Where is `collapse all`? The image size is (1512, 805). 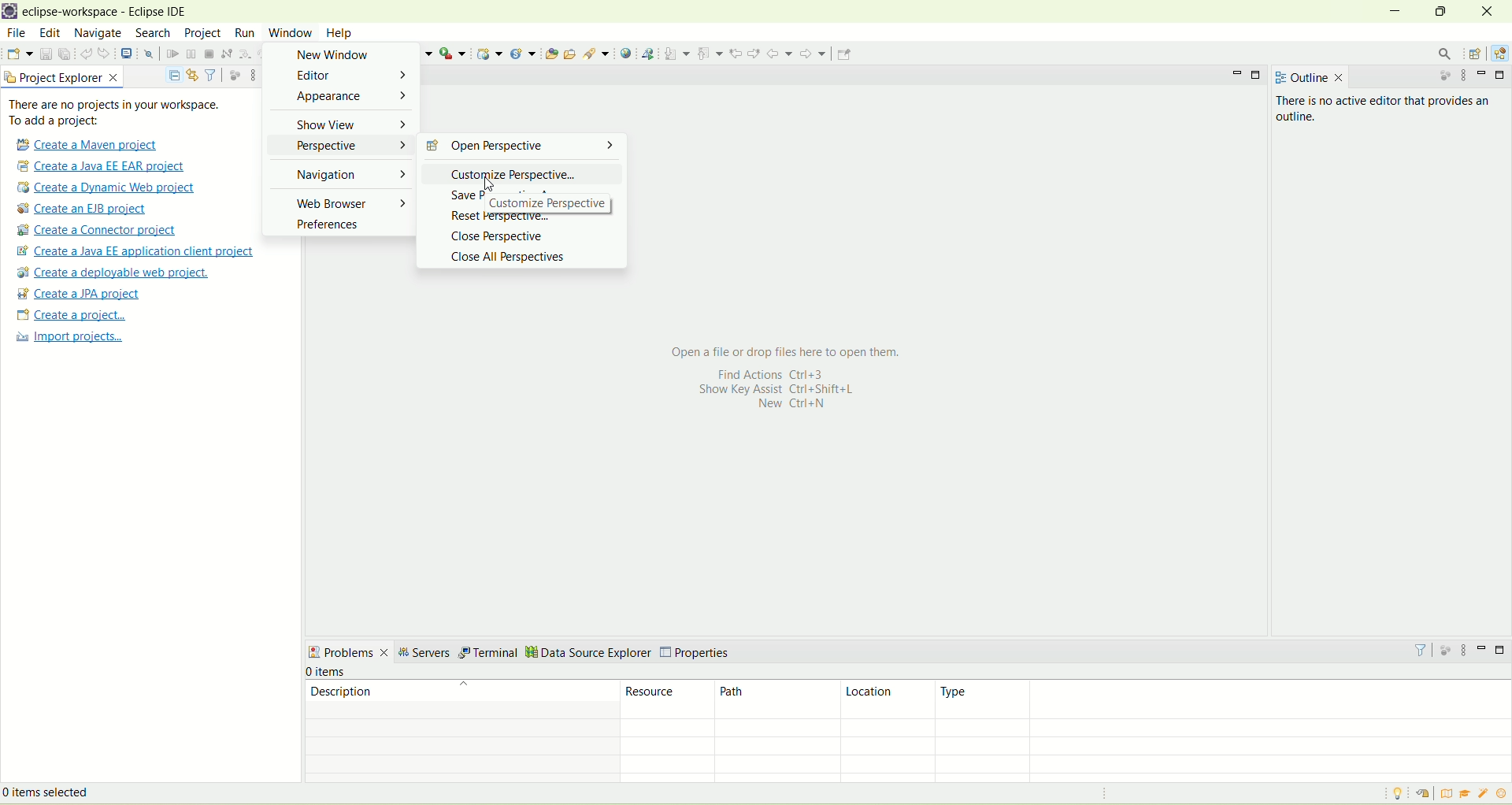 collapse all is located at coordinates (174, 72).